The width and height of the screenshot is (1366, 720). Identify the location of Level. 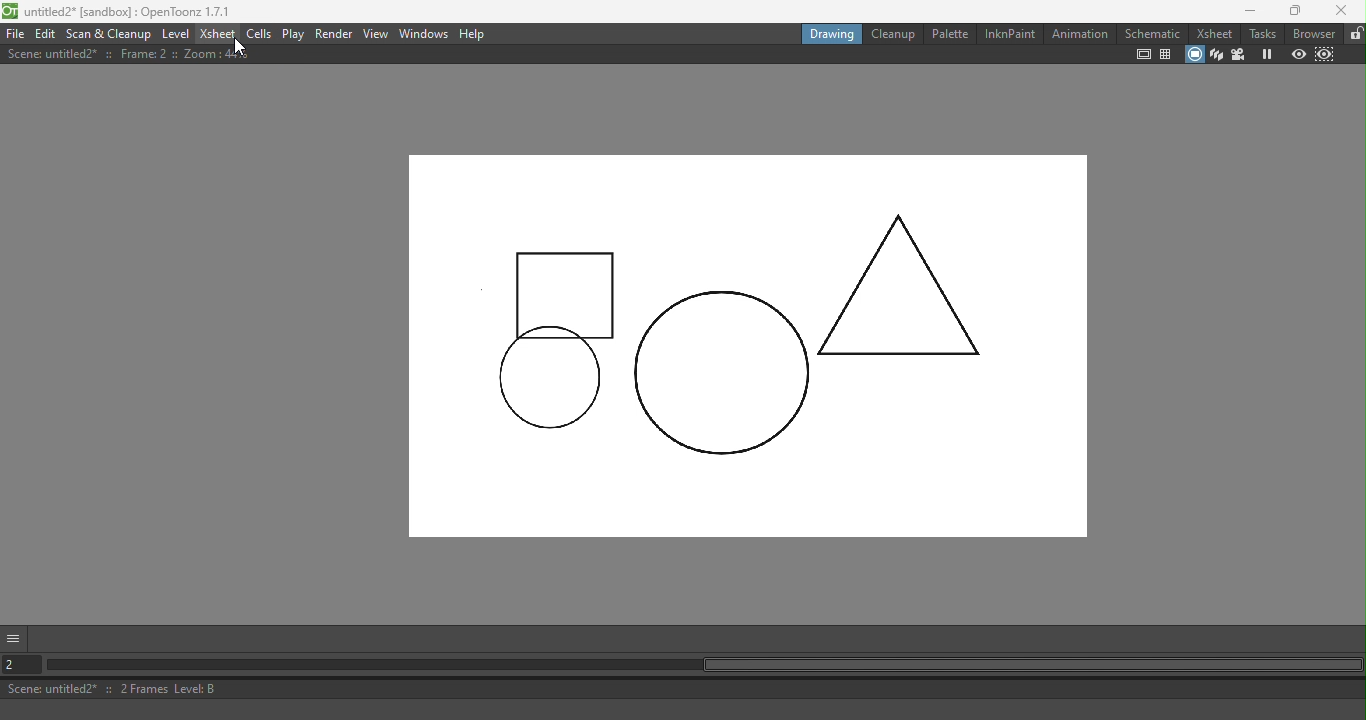
(177, 32).